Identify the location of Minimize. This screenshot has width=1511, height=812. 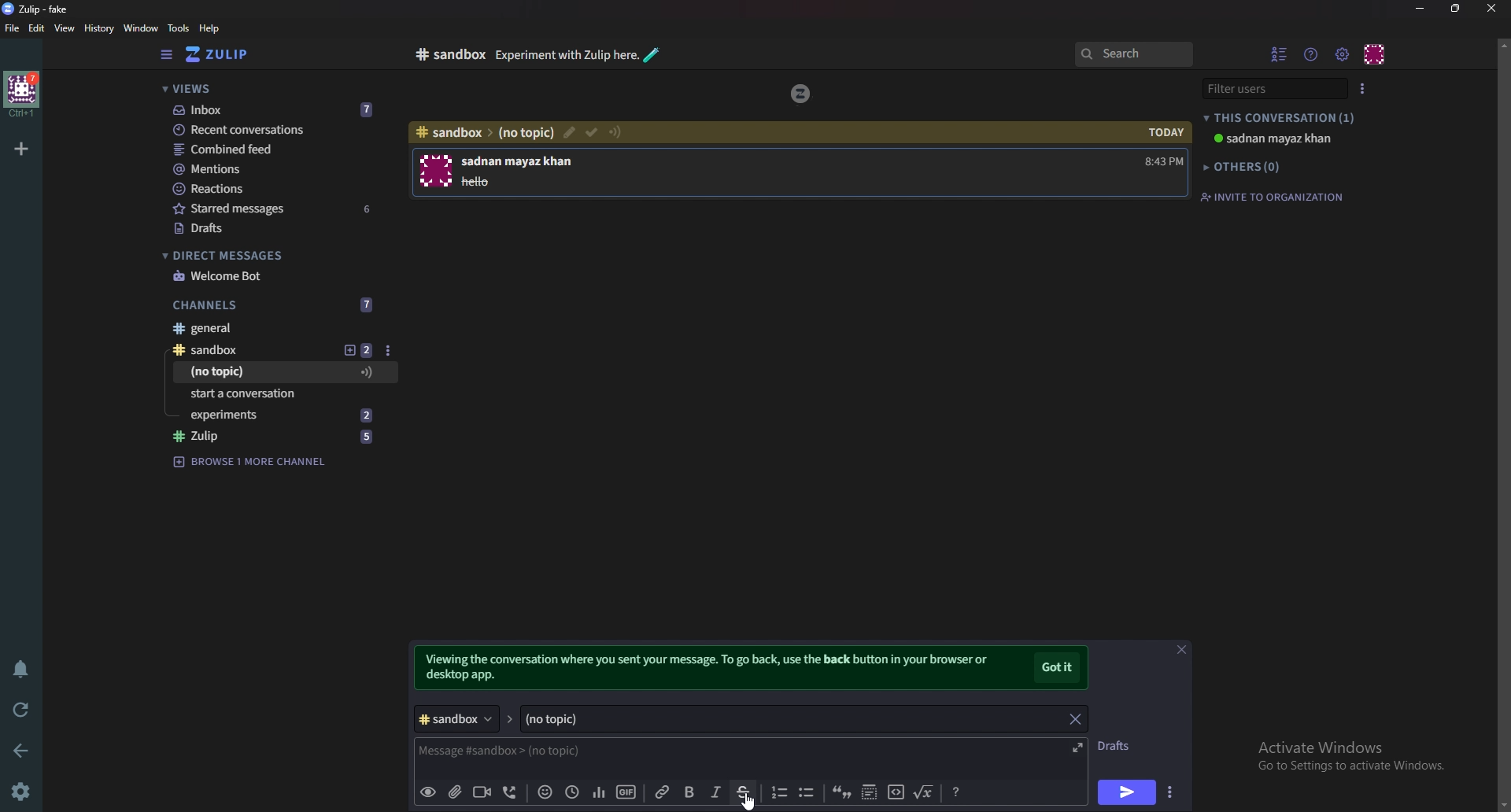
(1420, 8).